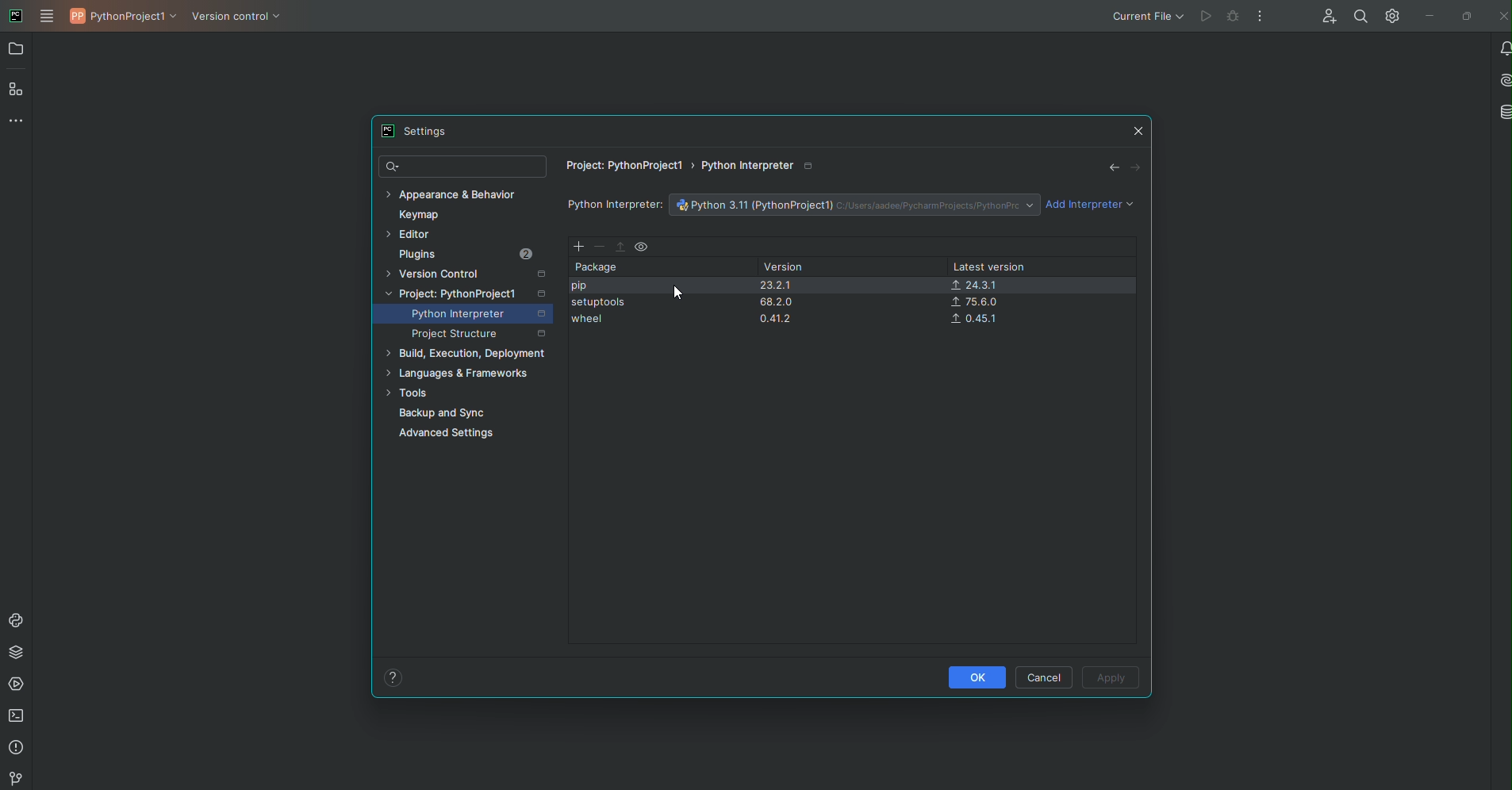 The width and height of the screenshot is (1512, 790). I want to click on Move Up, so click(621, 247).